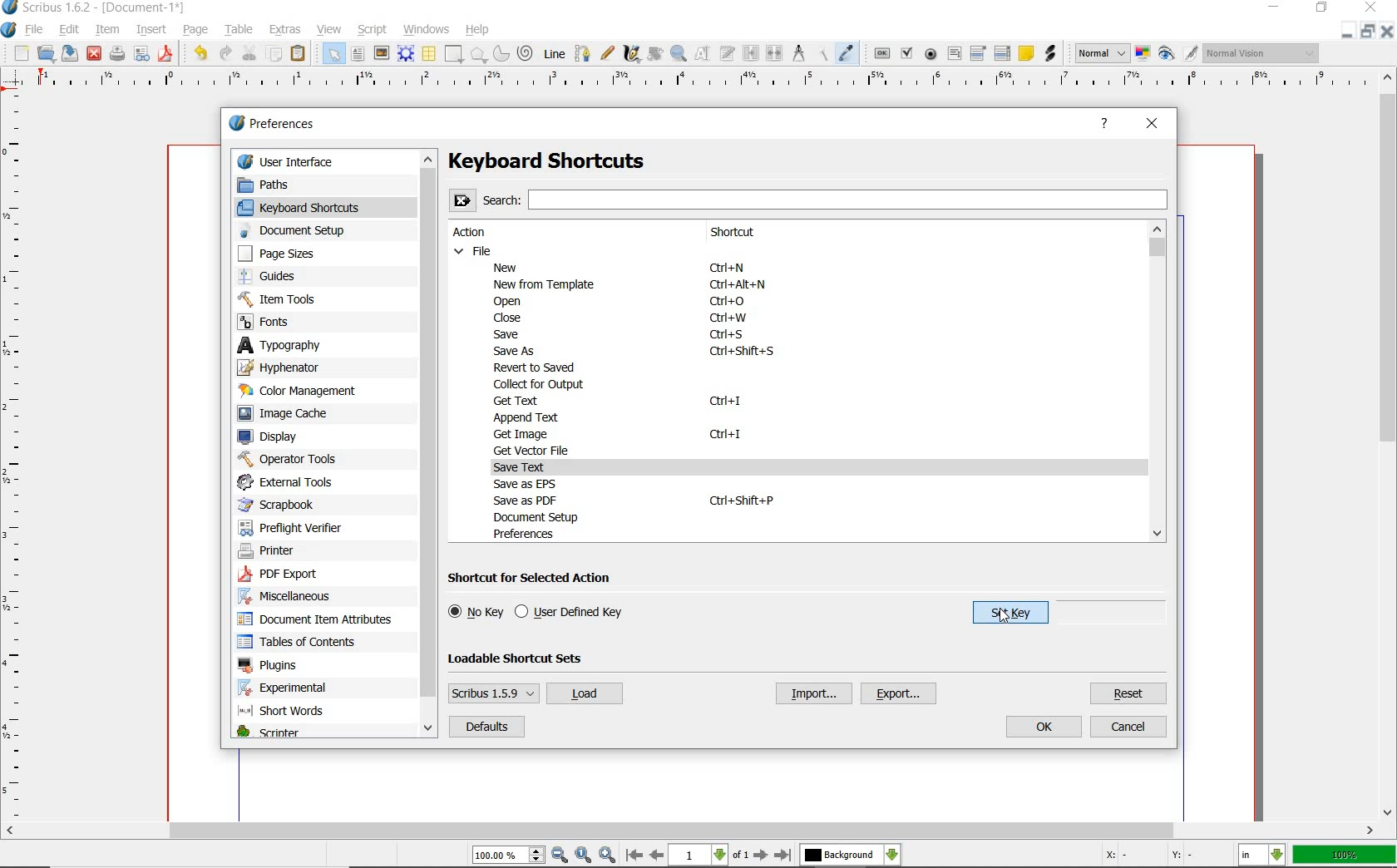 This screenshot has height=868, width=1397. Describe the element at coordinates (535, 450) in the screenshot. I see `GET VECTOR FILE` at that location.